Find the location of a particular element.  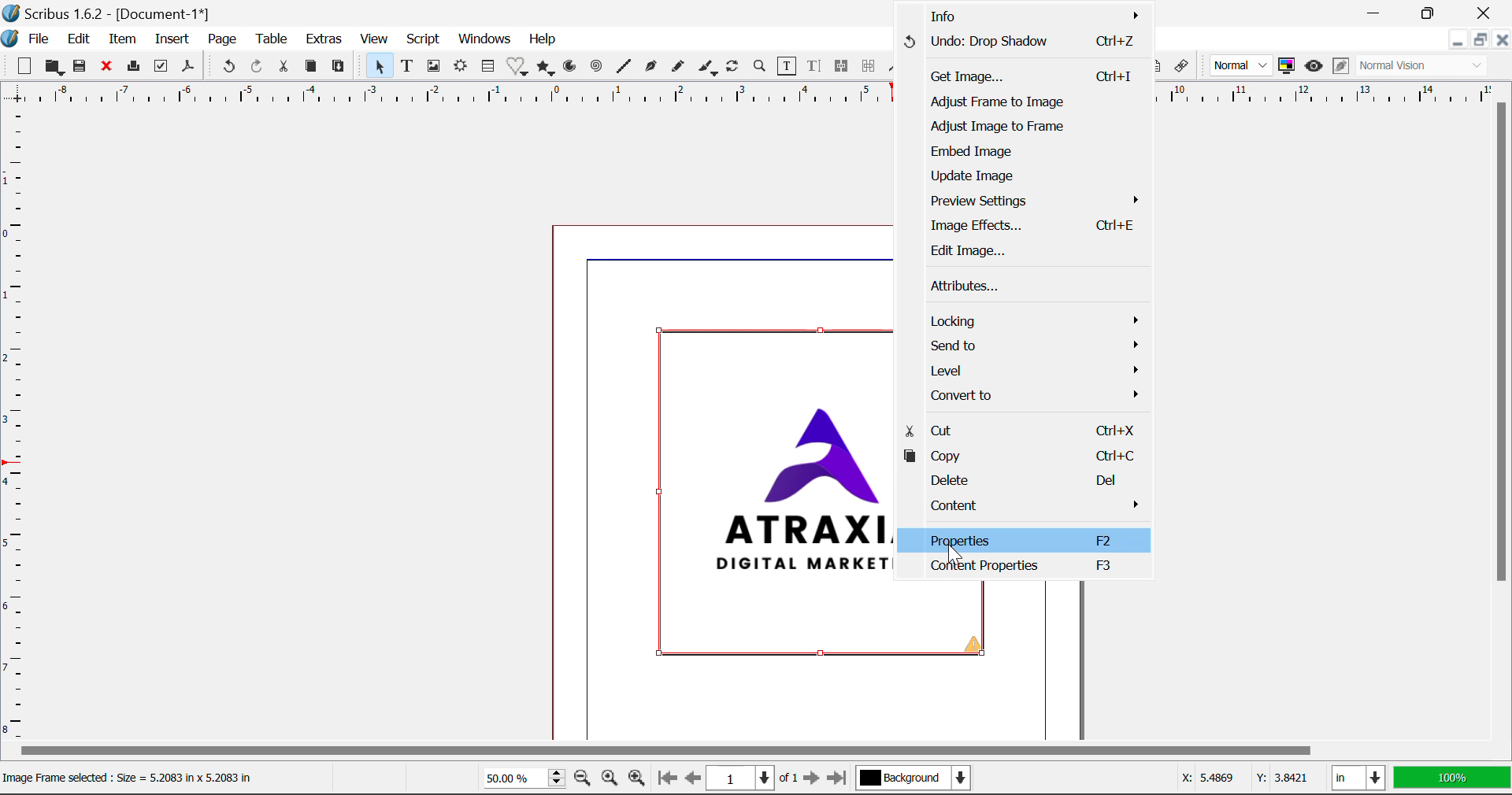

Paste is located at coordinates (341, 69).